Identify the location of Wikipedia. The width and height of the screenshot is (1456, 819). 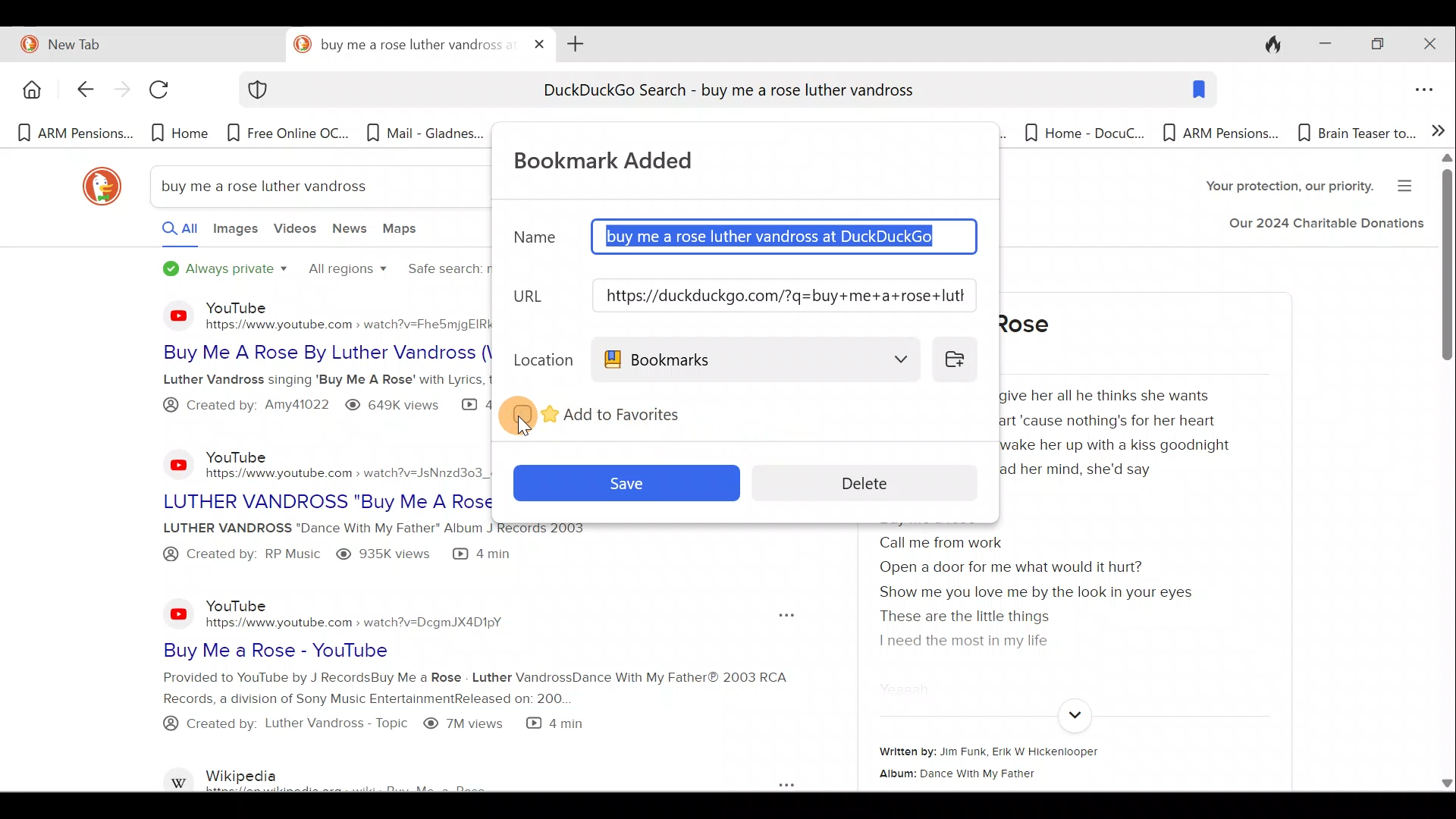
(384, 777).